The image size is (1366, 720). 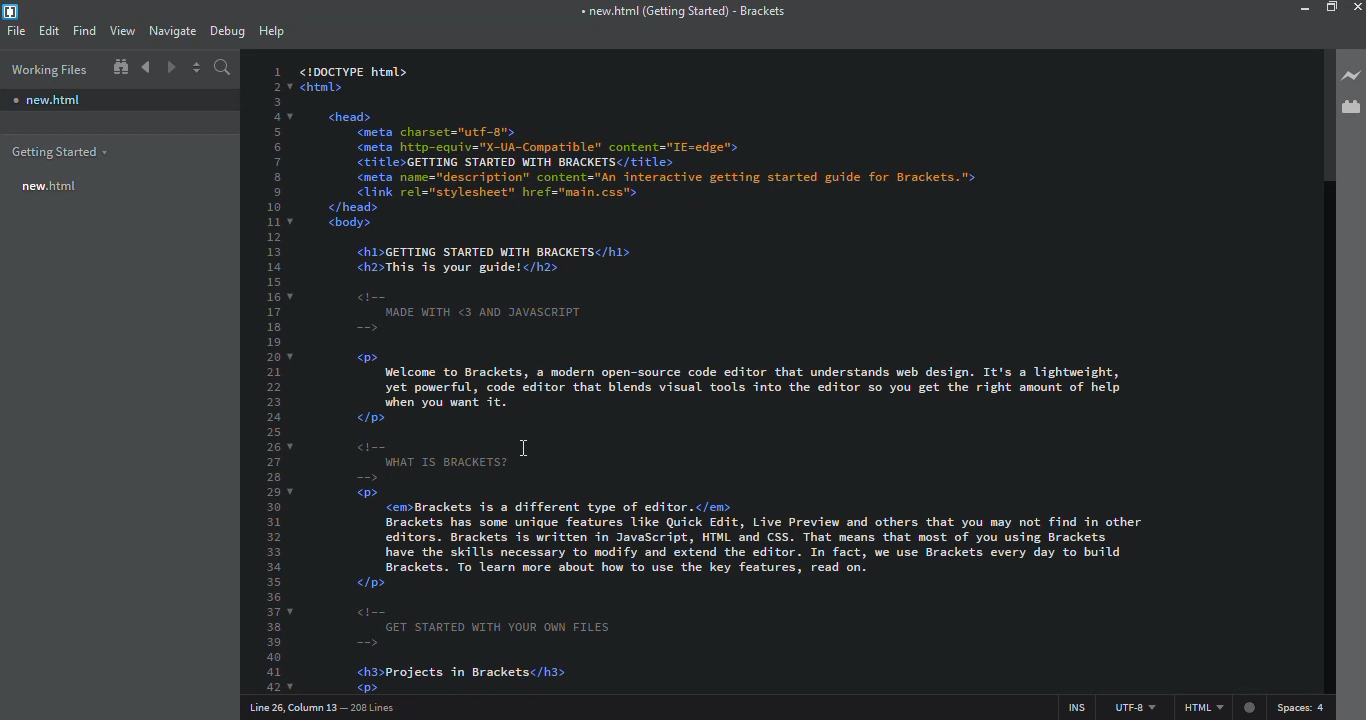 I want to click on scroll bar, so click(x=1323, y=114).